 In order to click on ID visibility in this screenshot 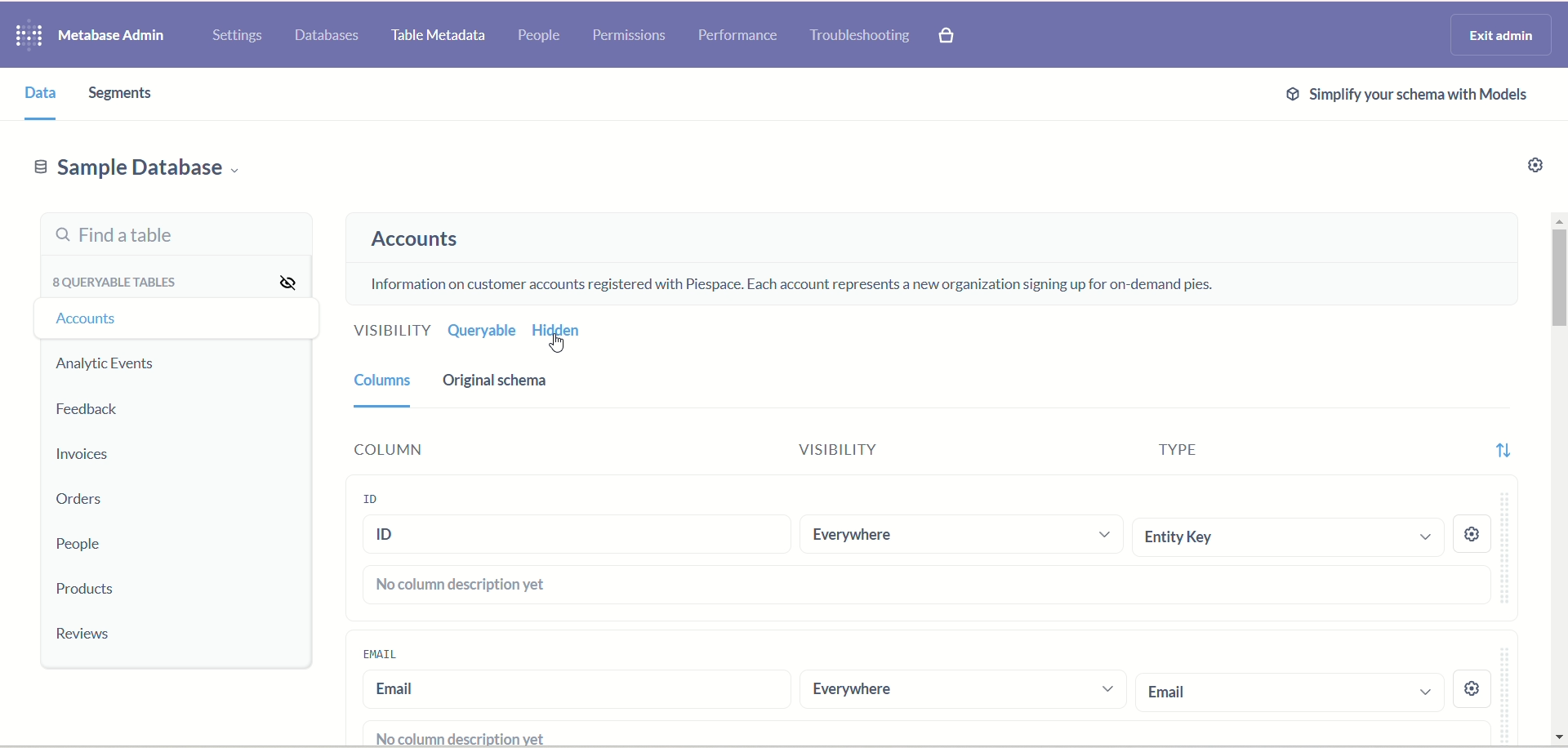, I will do `click(960, 531)`.